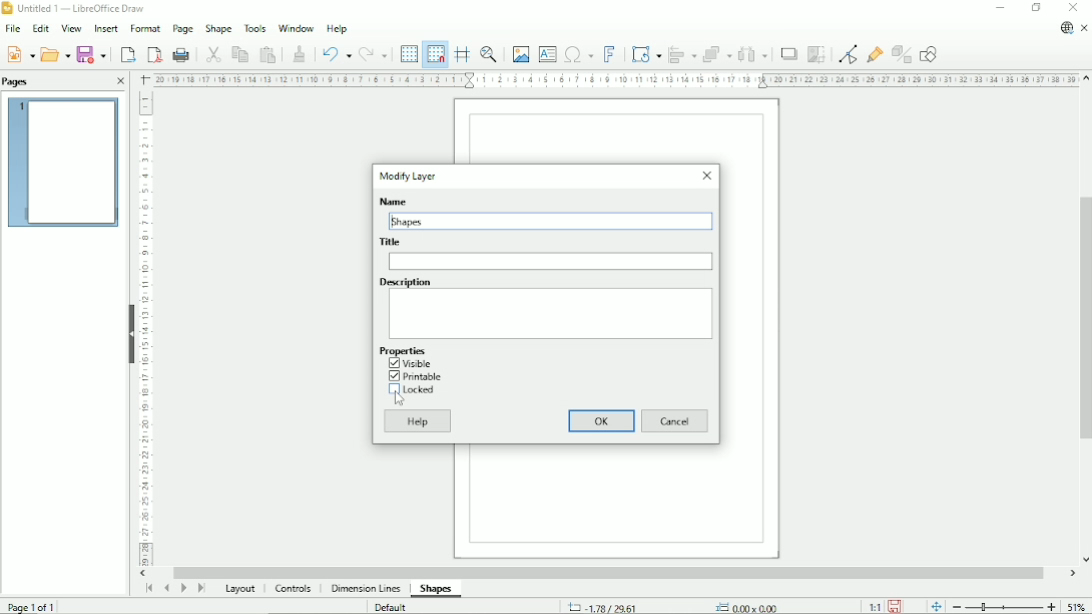 This screenshot has width=1092, height=614. I want to click on Help, so click(336, 28).